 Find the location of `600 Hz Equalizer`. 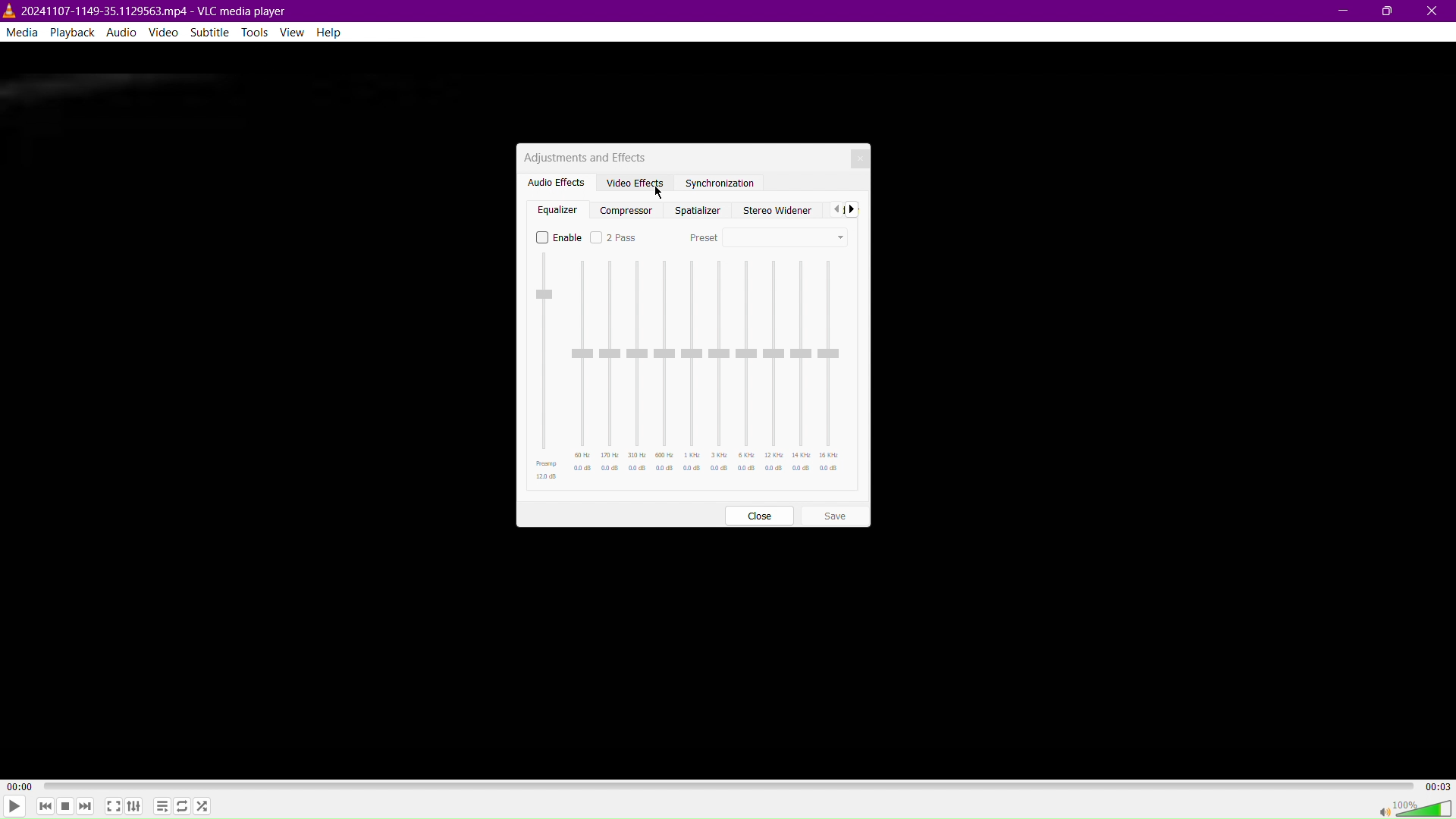

600 Hz Equalizer is located at coordinates (664, 369).